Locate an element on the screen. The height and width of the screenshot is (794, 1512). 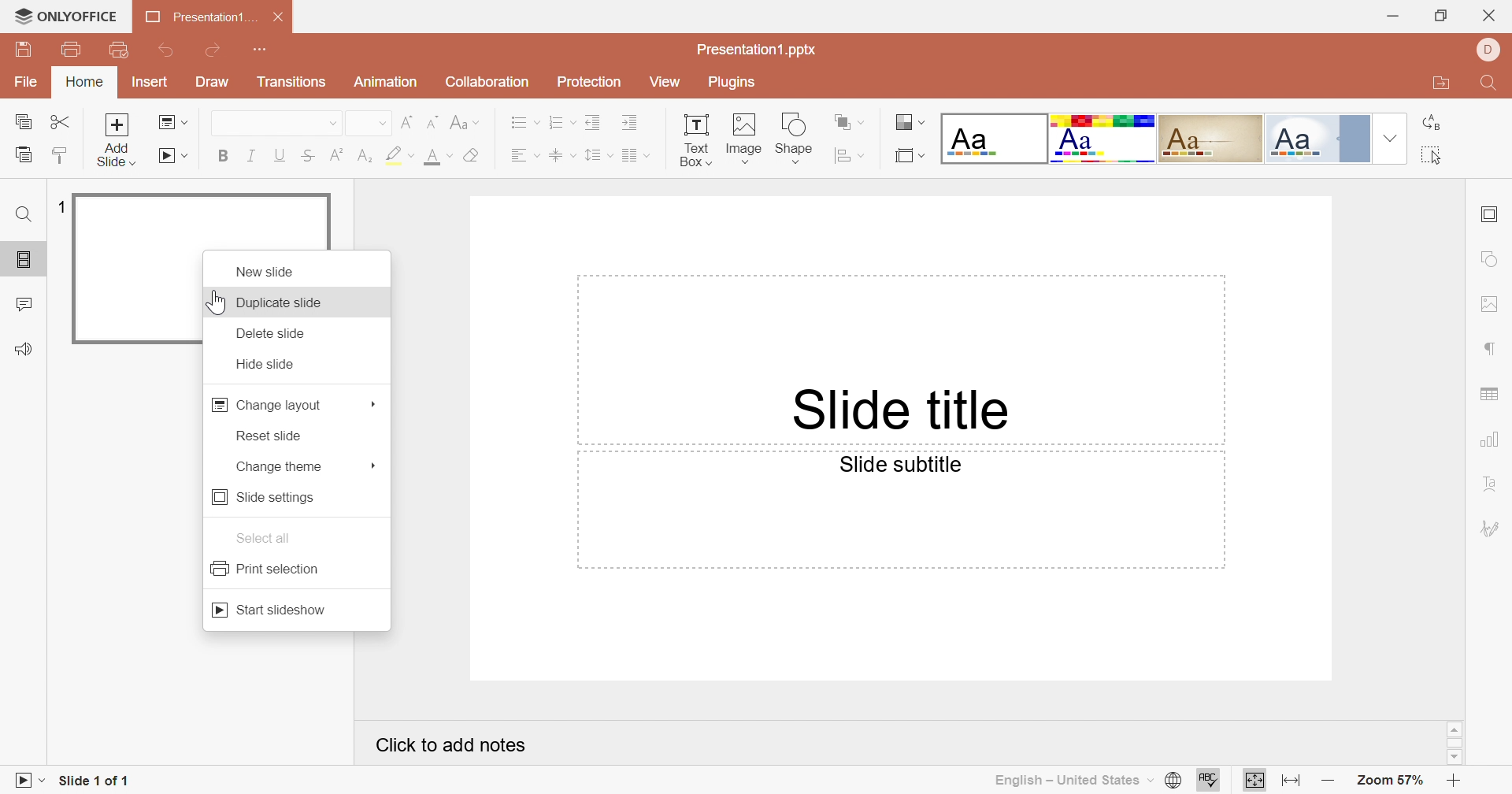
Profile is located at coordinates (1489, 51).